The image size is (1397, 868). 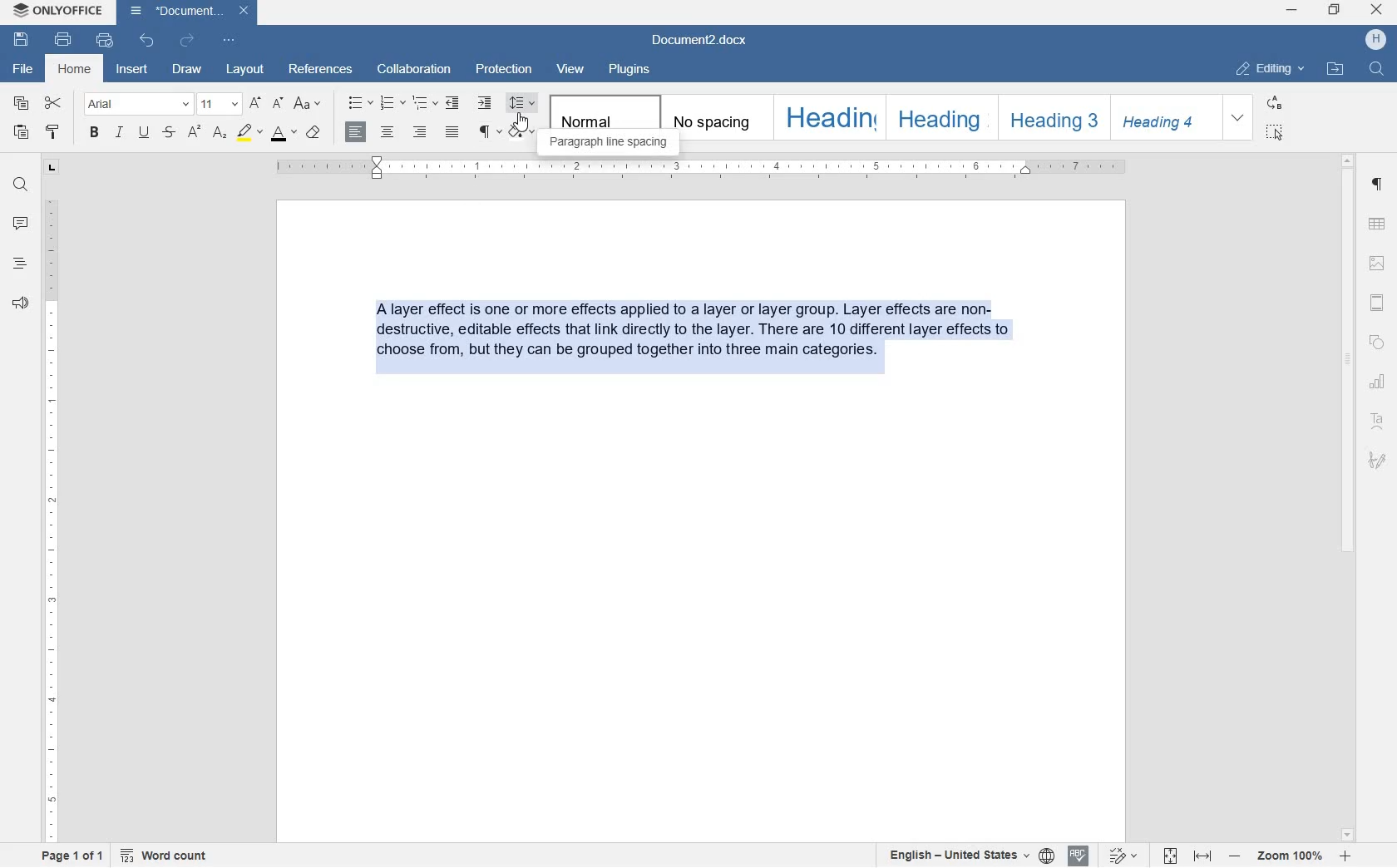 What do you see at coordinates (415, 71) in the screenshot?
I see `collaboration` at bounding box center [415, 71].